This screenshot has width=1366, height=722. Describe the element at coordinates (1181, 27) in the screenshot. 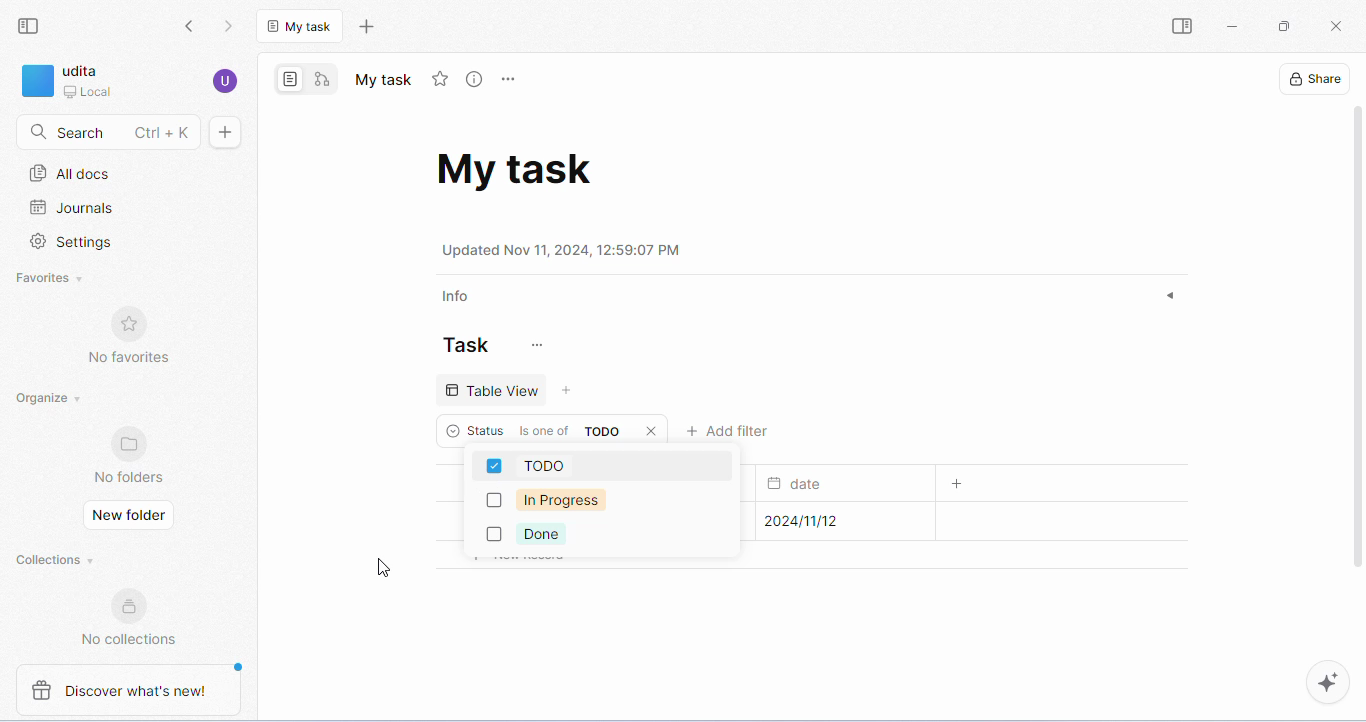

I see `open sidebar` at that location.